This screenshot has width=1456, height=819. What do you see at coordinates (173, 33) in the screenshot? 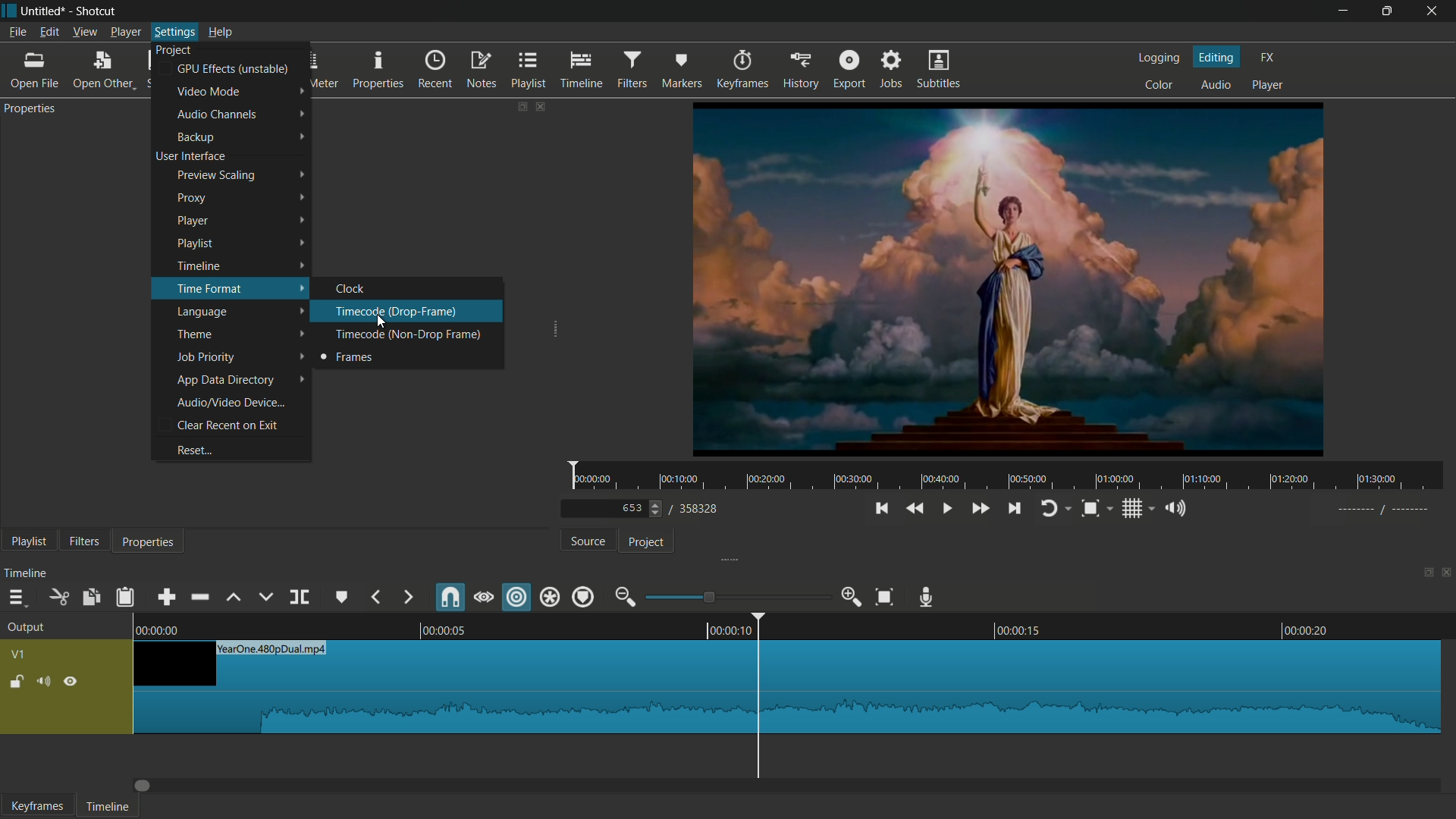
I see `settings menu` at bounding box center [173, 33].